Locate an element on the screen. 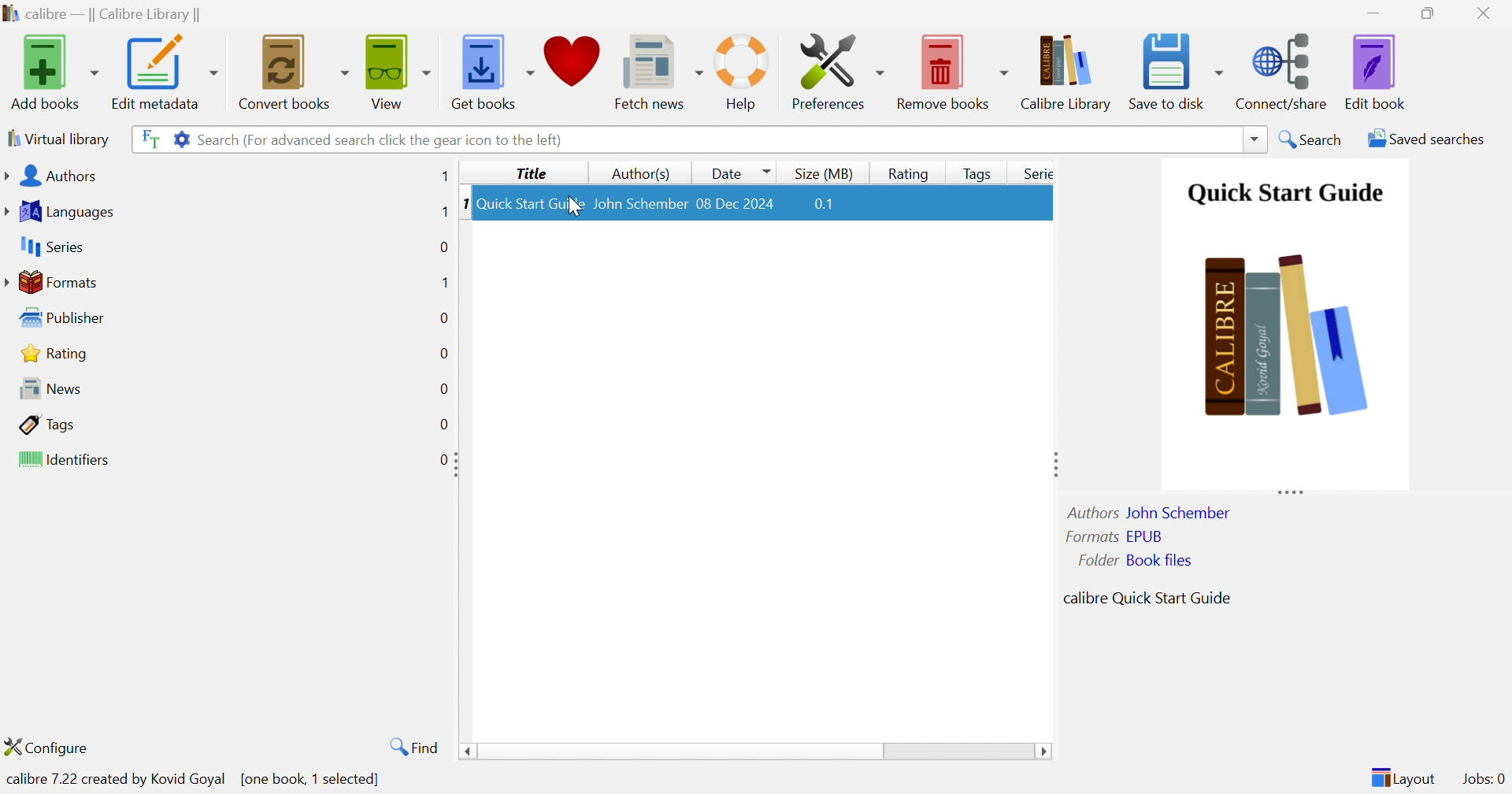  Rating is located at coordinates (51, 353).